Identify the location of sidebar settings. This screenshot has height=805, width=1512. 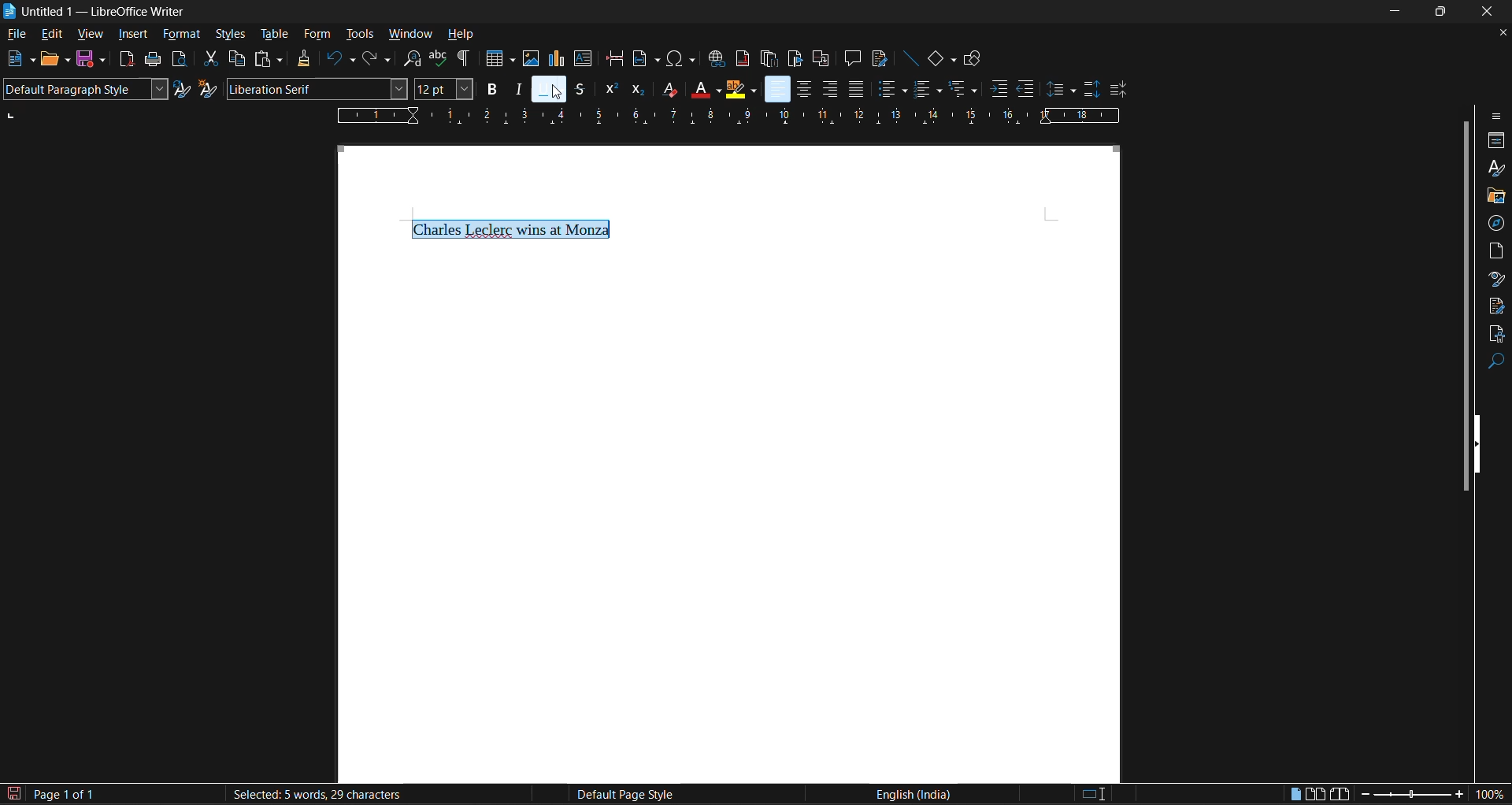
(1497, 116).